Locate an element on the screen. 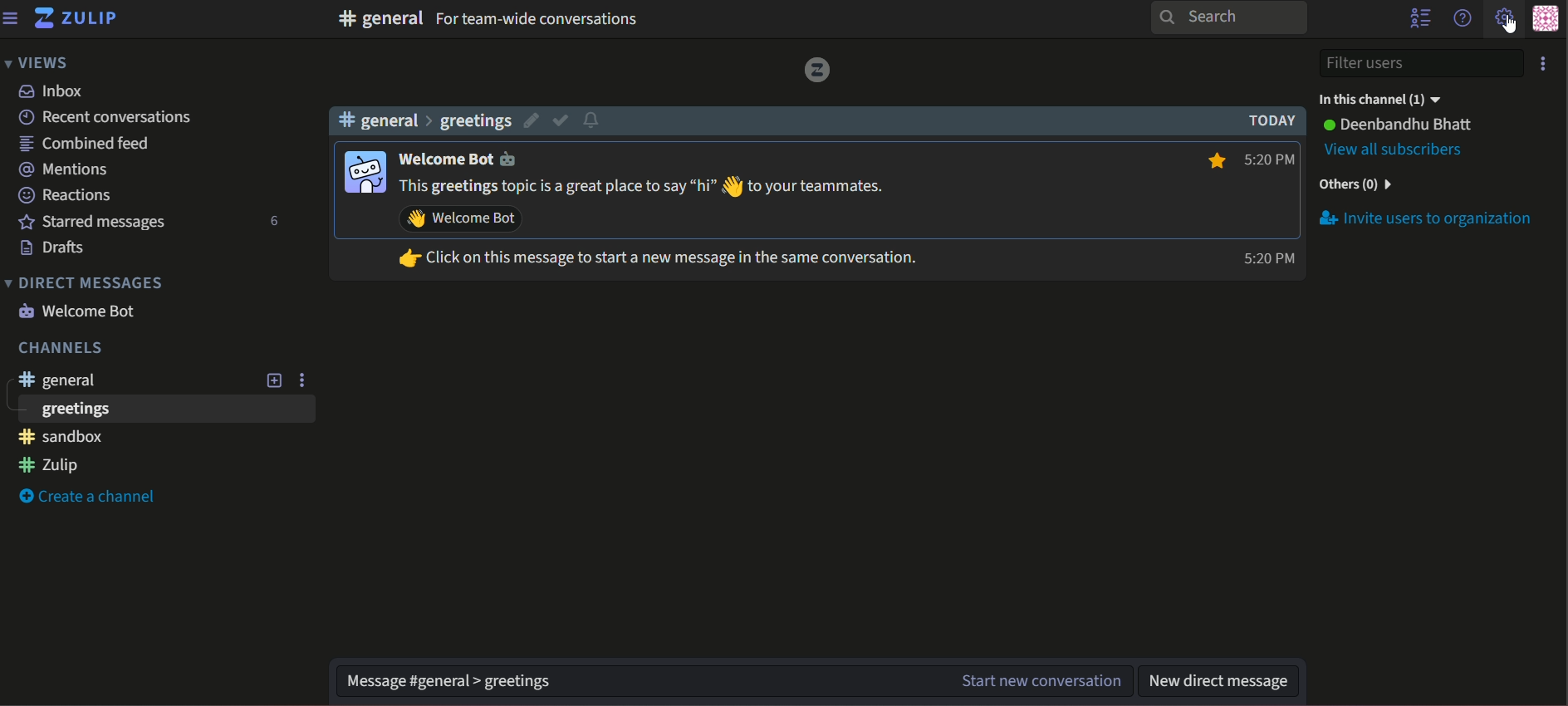  number of starred messages is located at coordinates (276, 222).